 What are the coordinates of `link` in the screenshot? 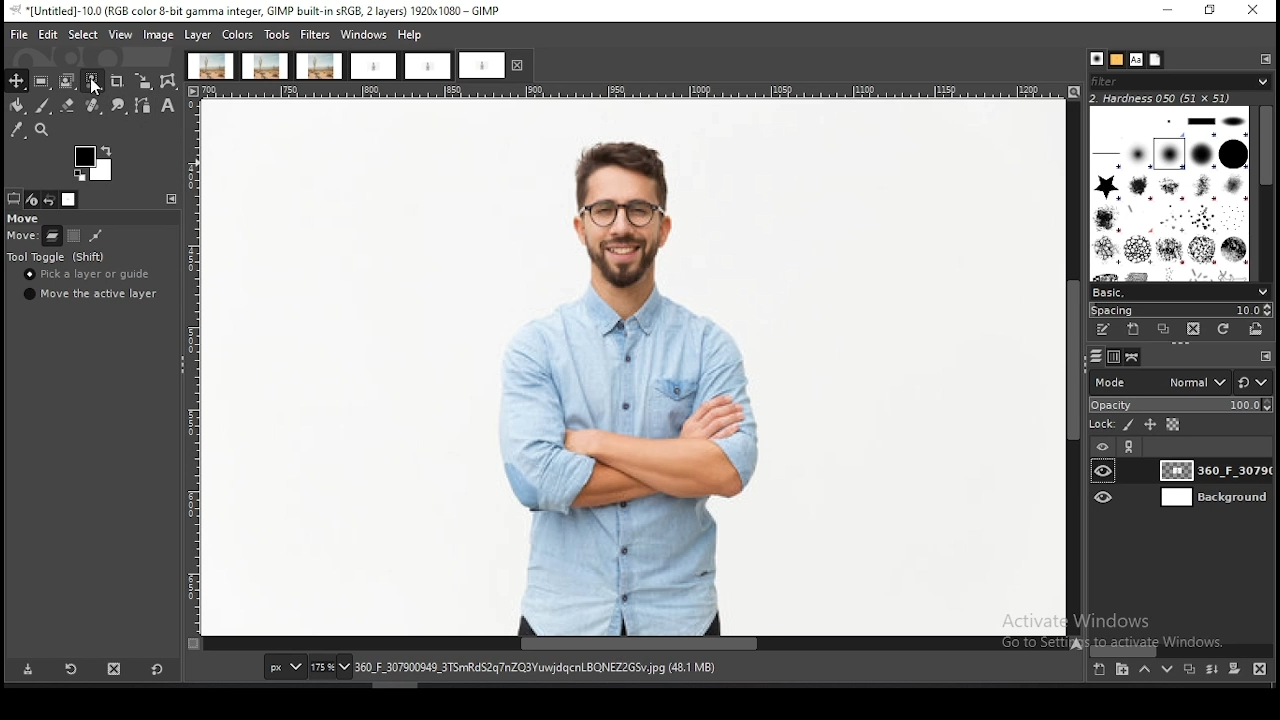 It's located at (1130, 447).